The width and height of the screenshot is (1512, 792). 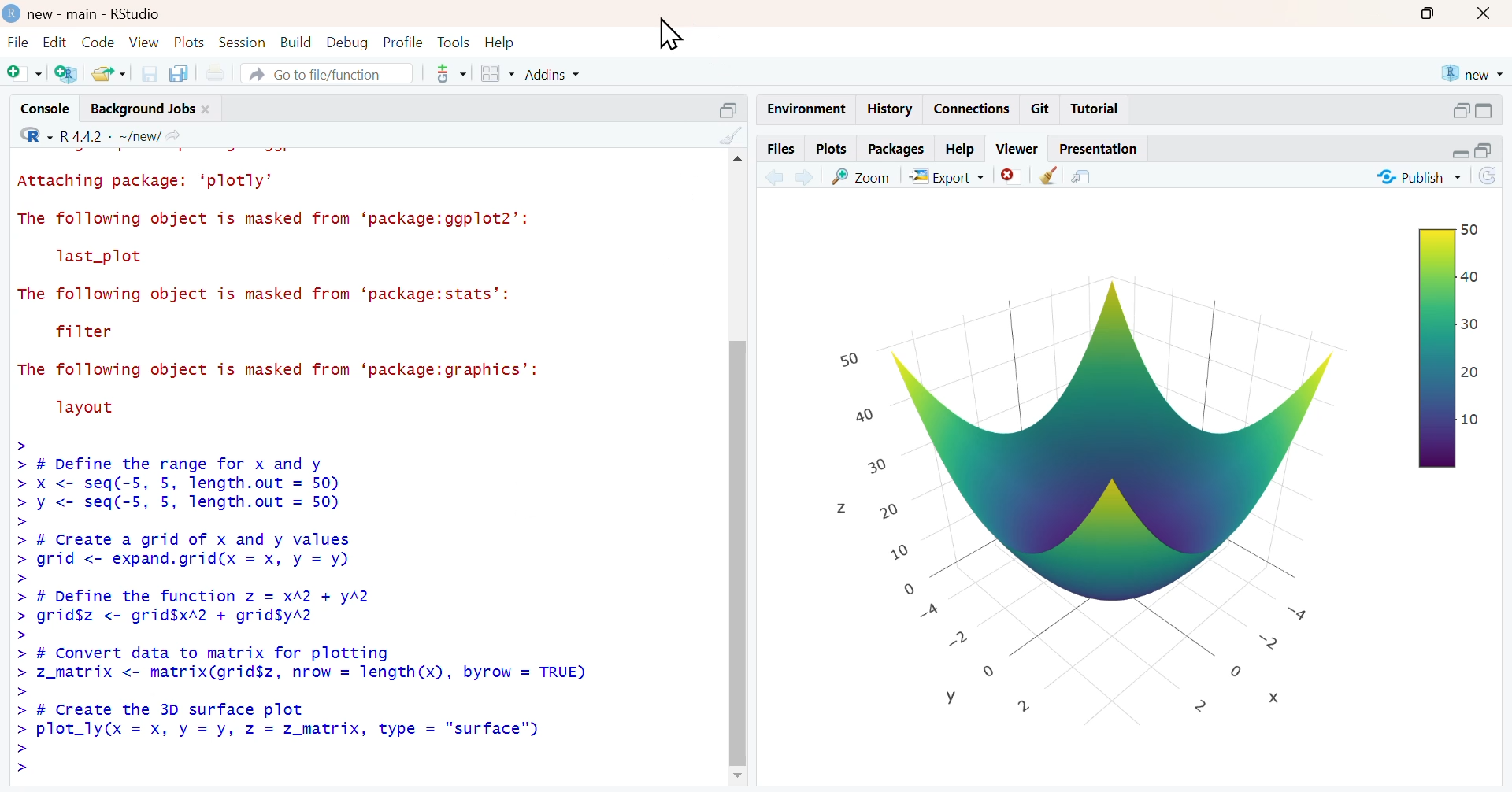 What do you see at coordinates (23, 72) in the screenshot?
I see `new file` at bounding box center [23, 72].